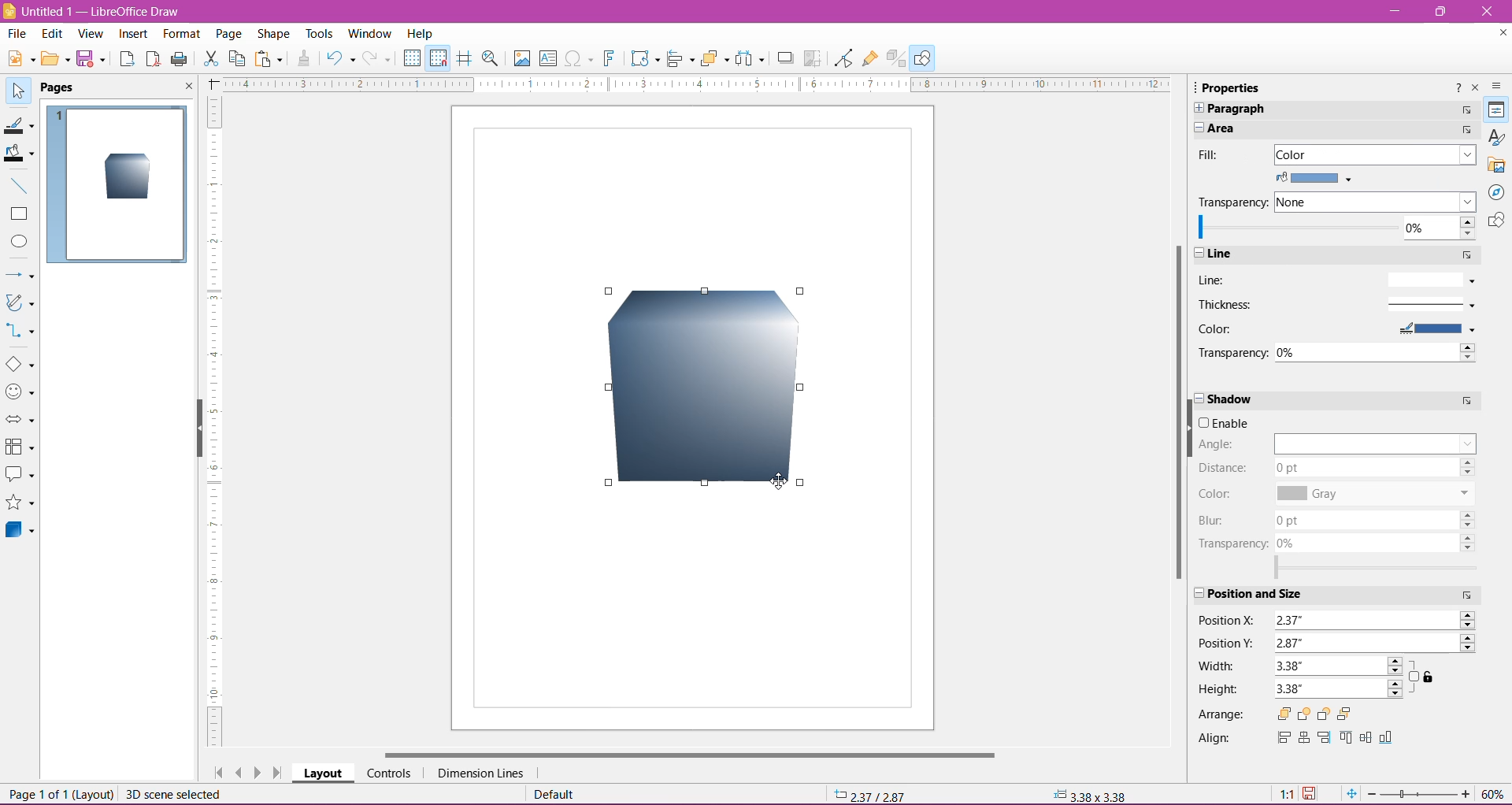  Describe the element at coordinates (843, 58) in the screenshot. I see `Toggle Point Edit Mode` at that location.